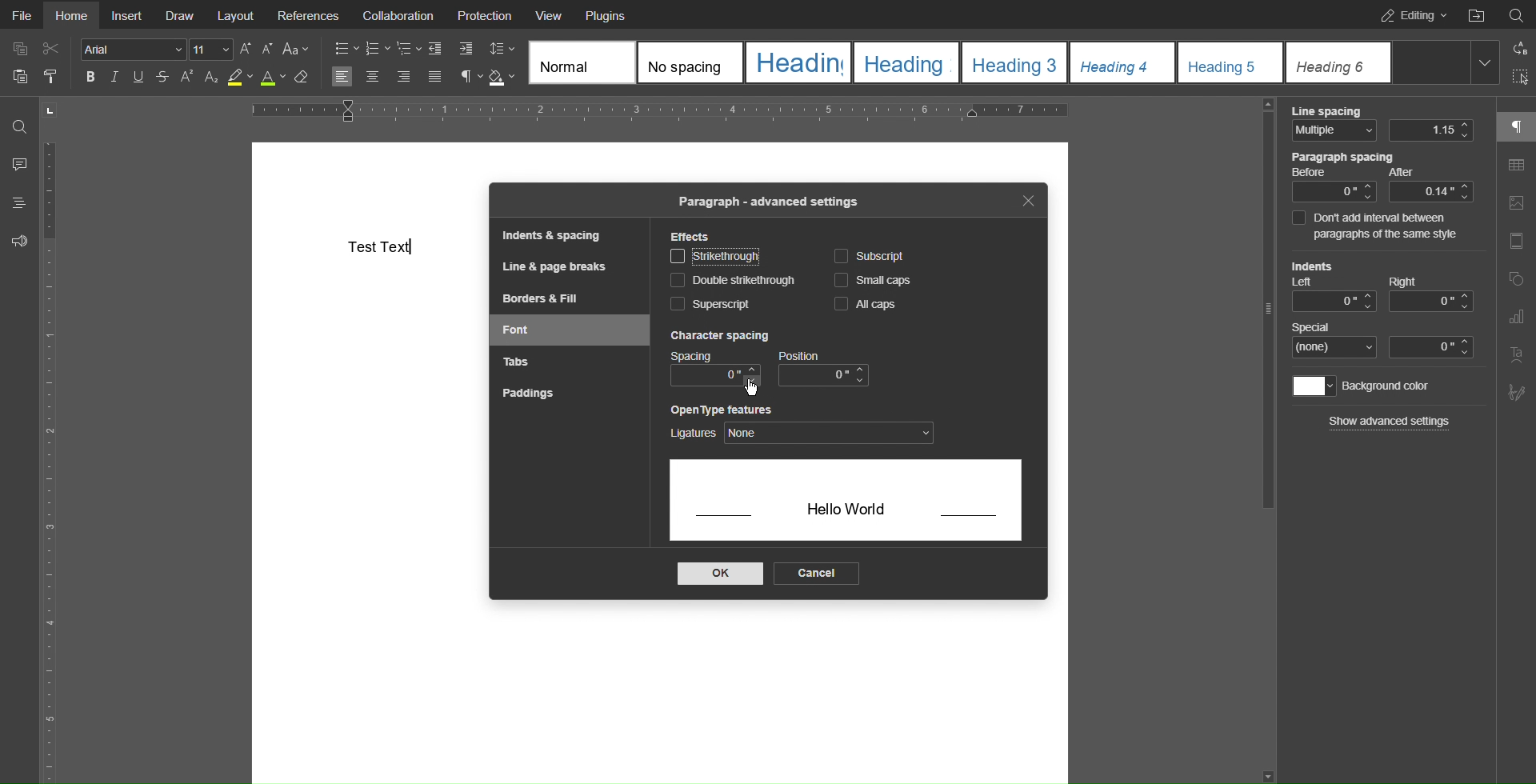 The height and width of the screenshot is (784, 1536). What do you see at coordinates (405, 78) in the screenshot?
I see `Right Align` at bounding box center [405, 78].